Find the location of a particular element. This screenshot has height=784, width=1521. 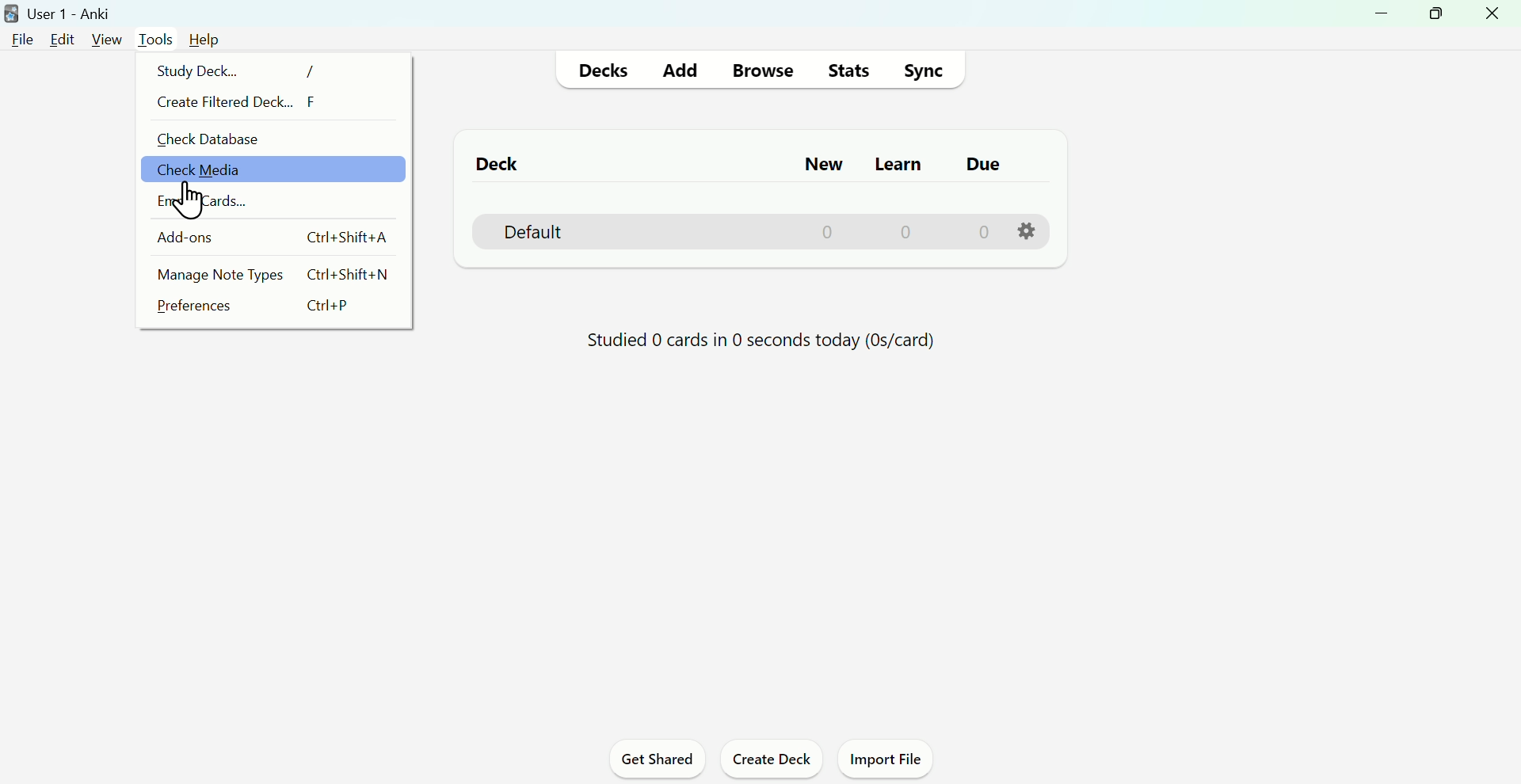

Add Ons is located at coordinates (269, 236).